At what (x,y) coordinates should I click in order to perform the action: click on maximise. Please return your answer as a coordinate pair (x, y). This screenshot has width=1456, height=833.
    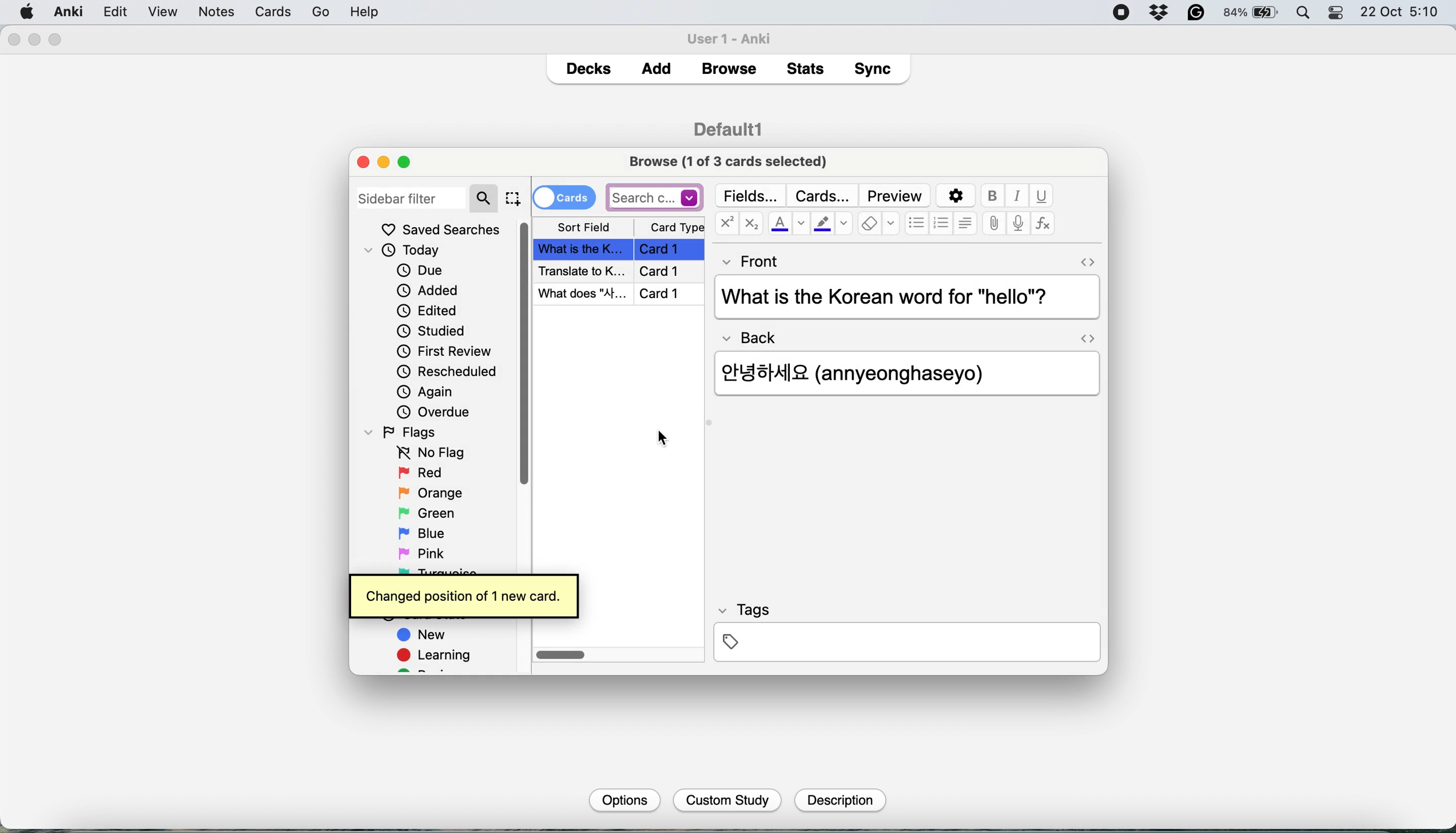
    Looking at the image, I should click on (409, 161).